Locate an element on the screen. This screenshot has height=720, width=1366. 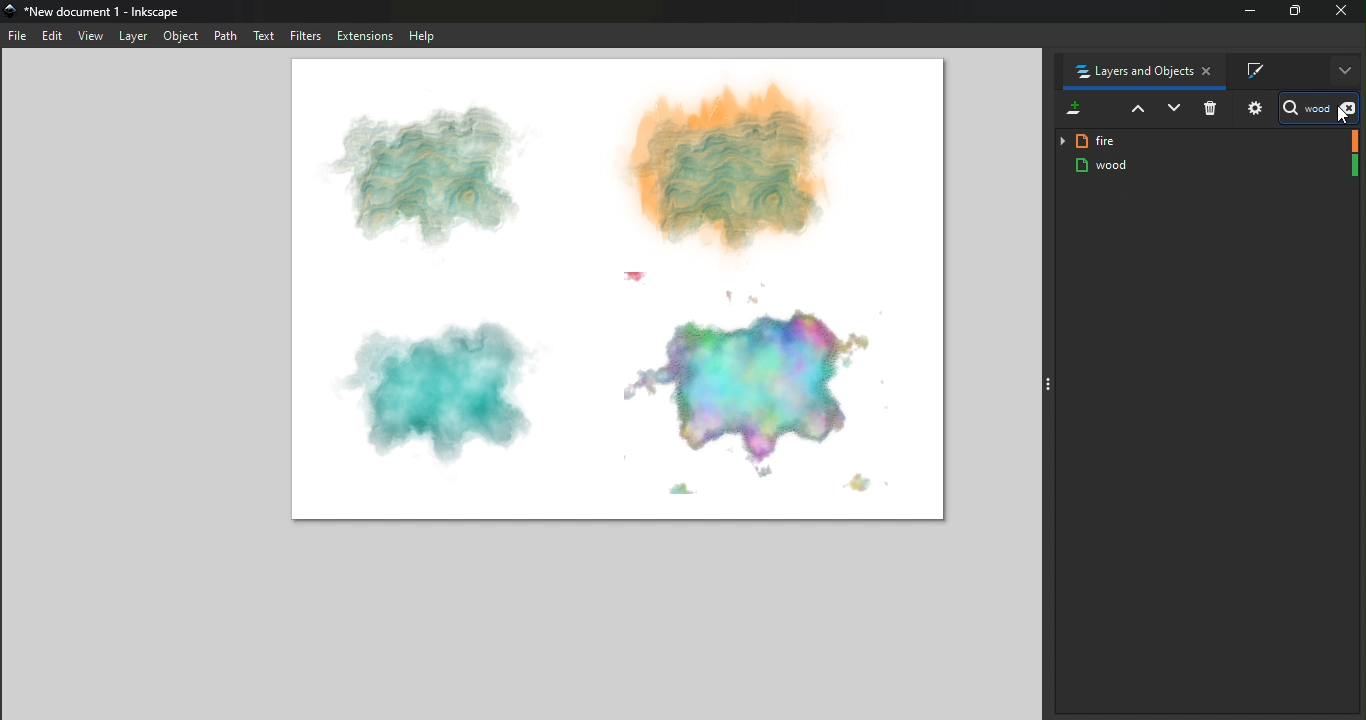
Edit is located at coordinates (53, 38).